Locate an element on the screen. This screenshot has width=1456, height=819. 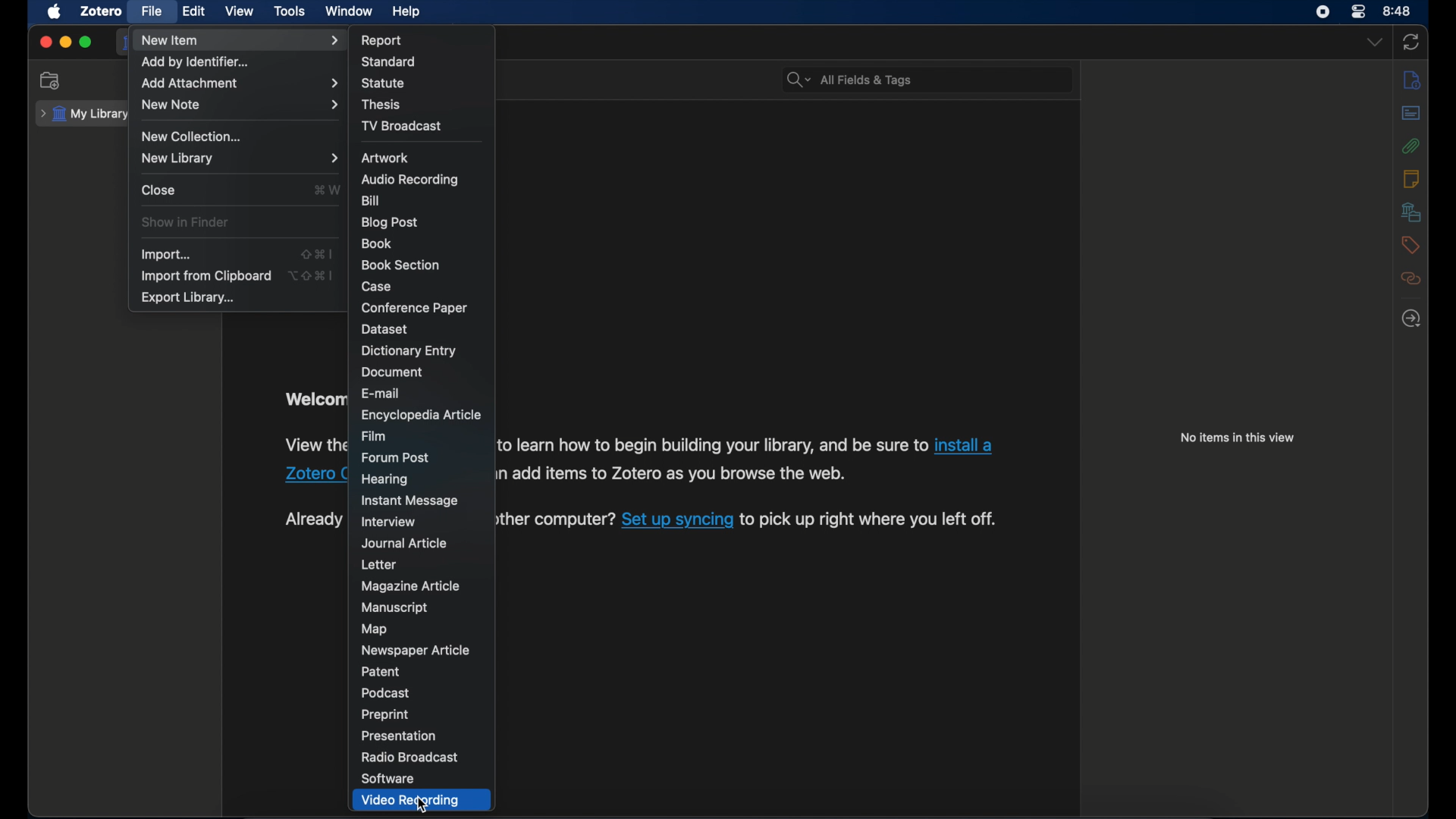
zotero is located at coordinates (100, 11).